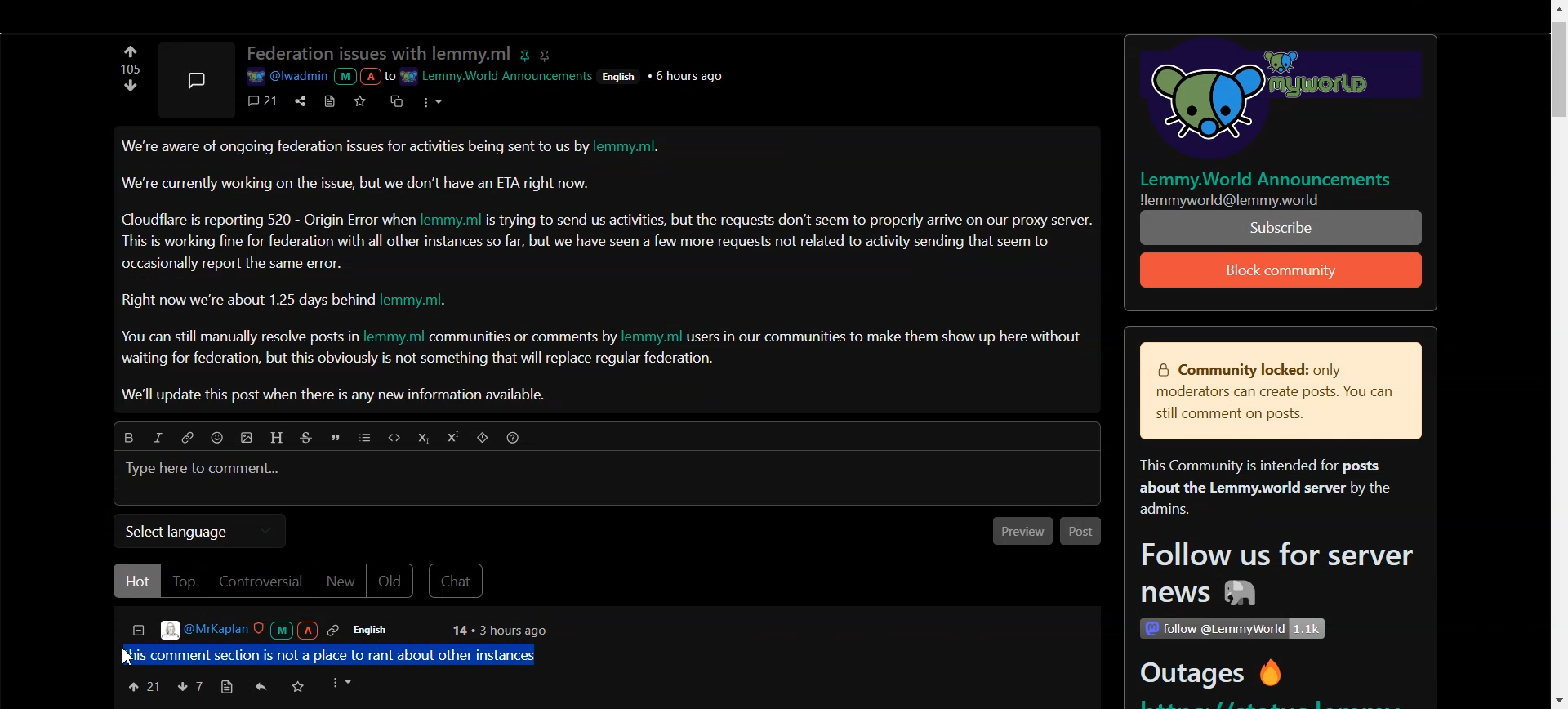 This screenshot has height=709, width=1568. Describe the element at coordinates (278, 437) in the screenshot. I see `Header` at that location.